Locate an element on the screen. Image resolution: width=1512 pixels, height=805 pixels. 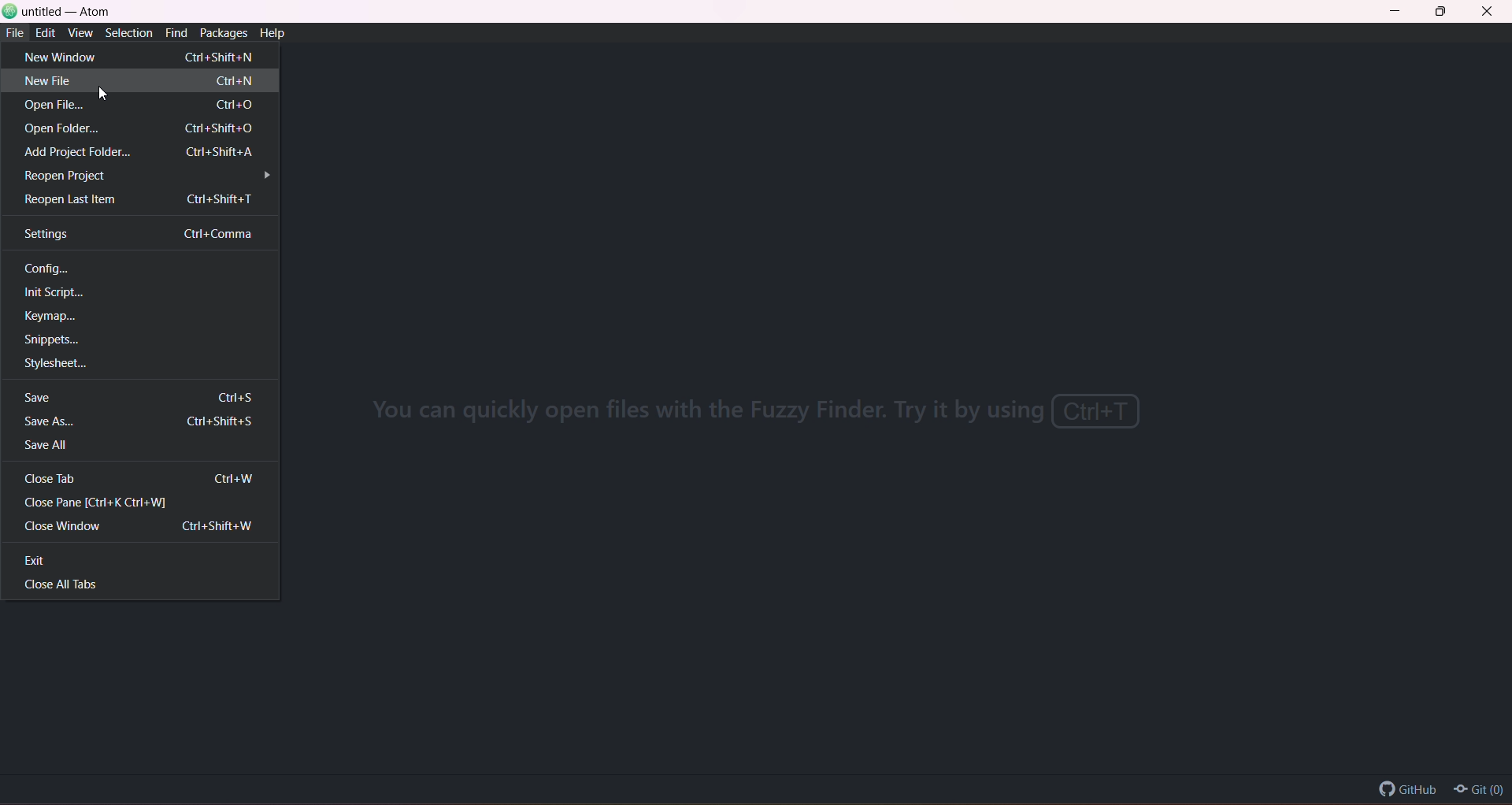
GitHub is located at coordinates (1393, 785).